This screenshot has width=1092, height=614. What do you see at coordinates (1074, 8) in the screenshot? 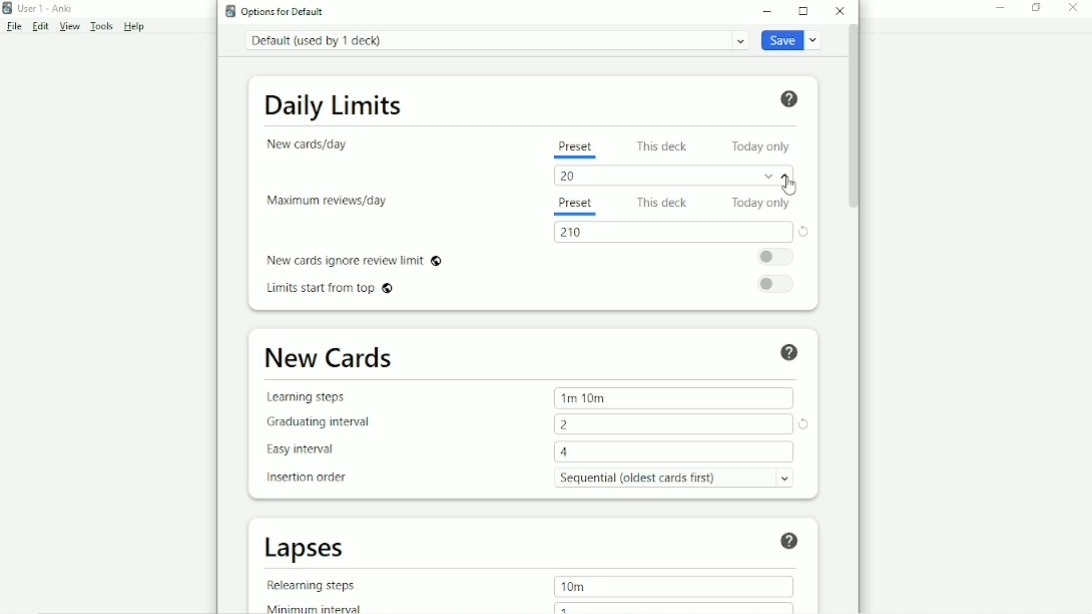
I see `Close` at bounding box center [1074, 8].